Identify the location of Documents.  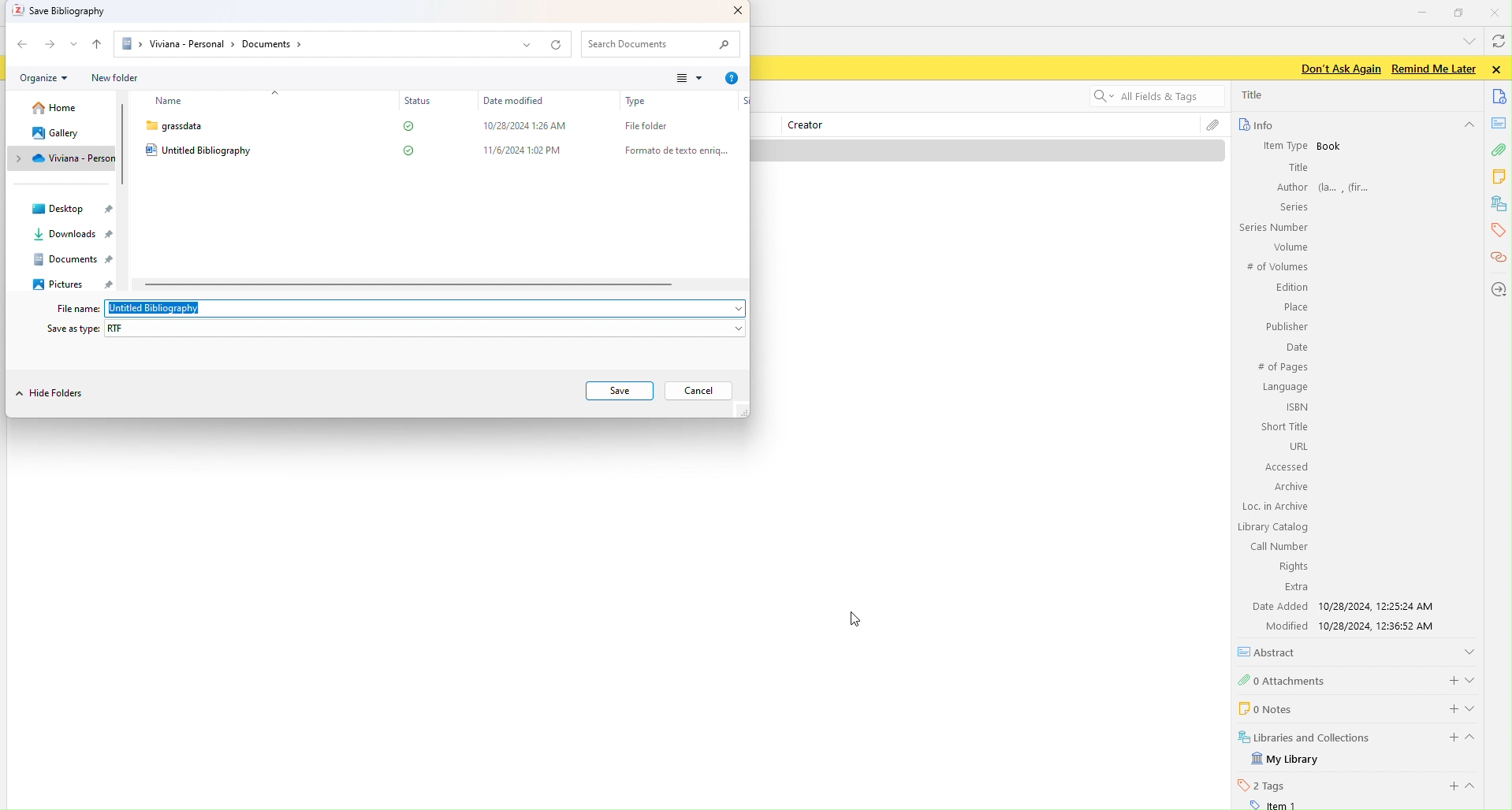
(72, 259).